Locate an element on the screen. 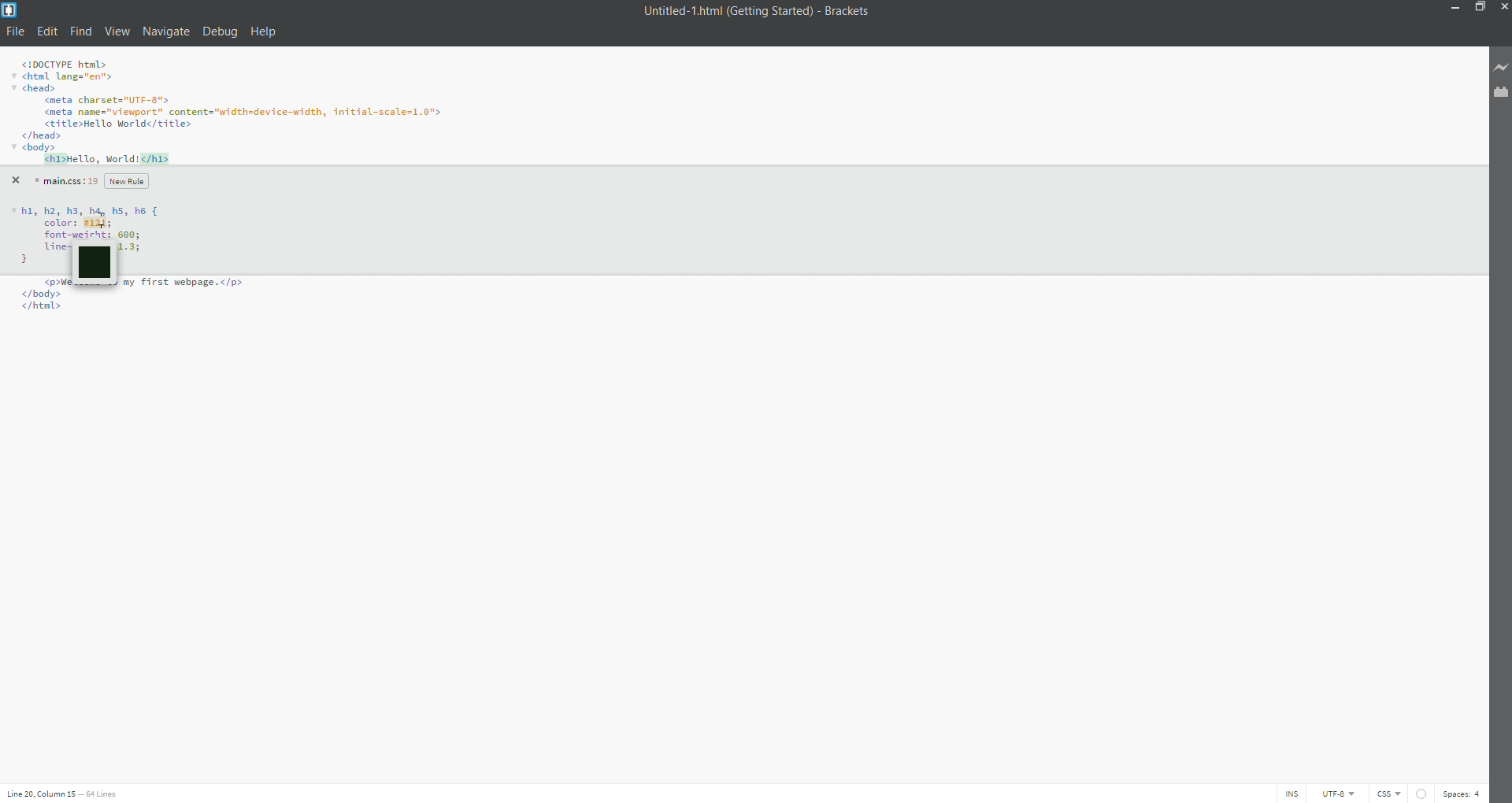 The width and height of the screenshot is (1512, 803). linting is located at coordinates (1419, 791).